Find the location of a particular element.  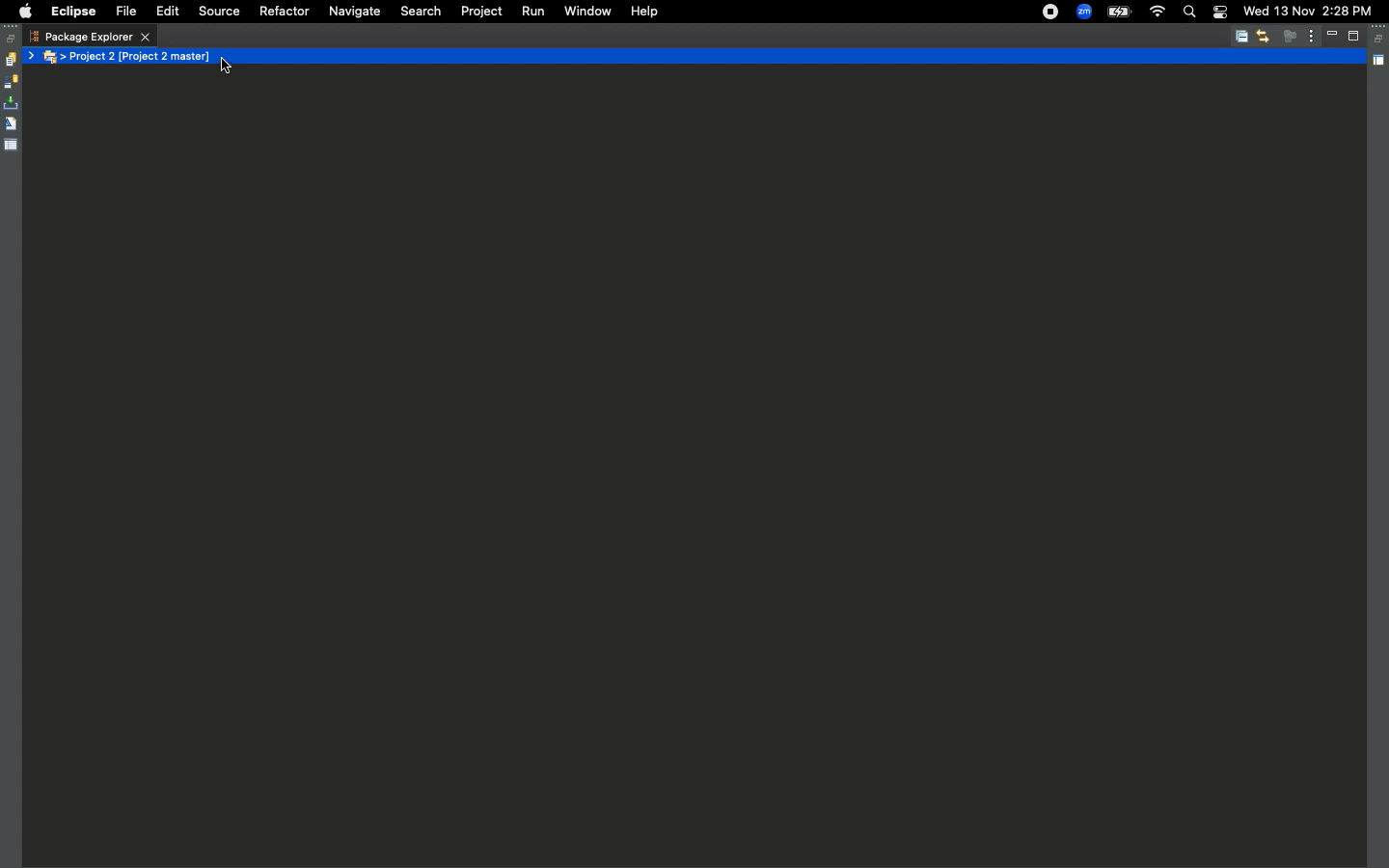

Folder Icon is located at coordinates (53, 58).